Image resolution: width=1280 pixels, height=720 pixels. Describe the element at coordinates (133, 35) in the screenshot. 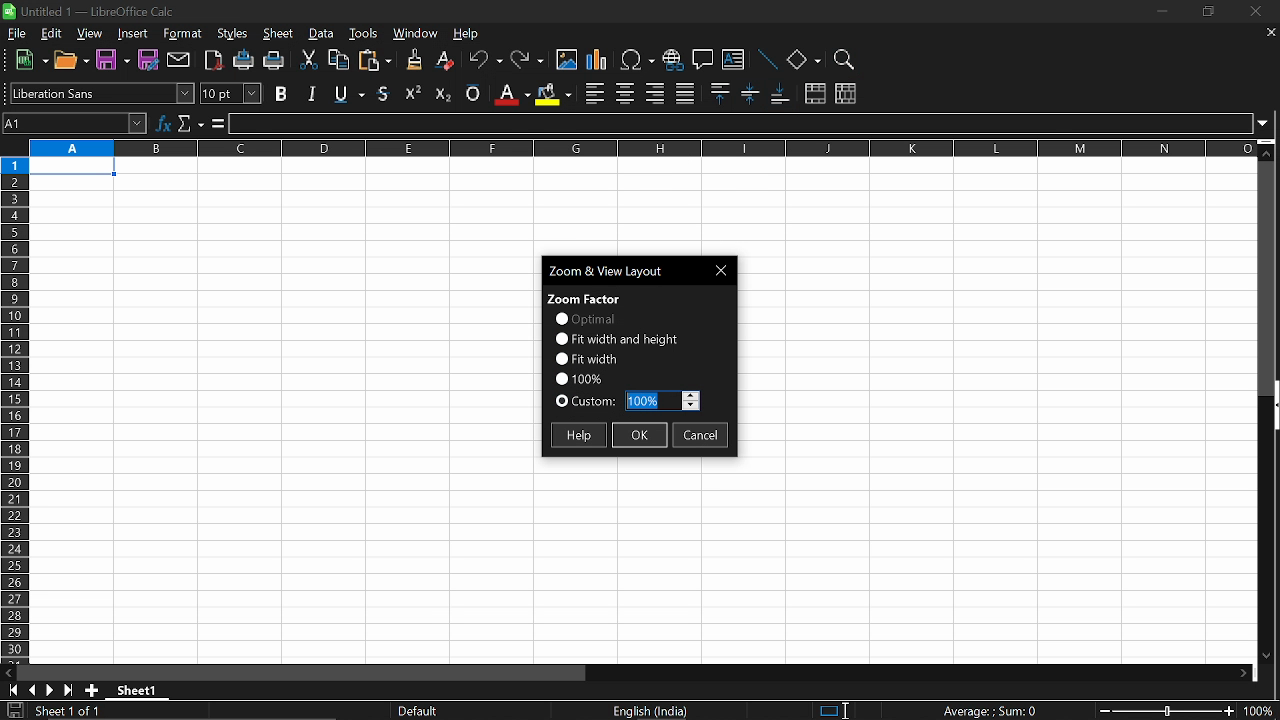

I see `Insert` at that location.